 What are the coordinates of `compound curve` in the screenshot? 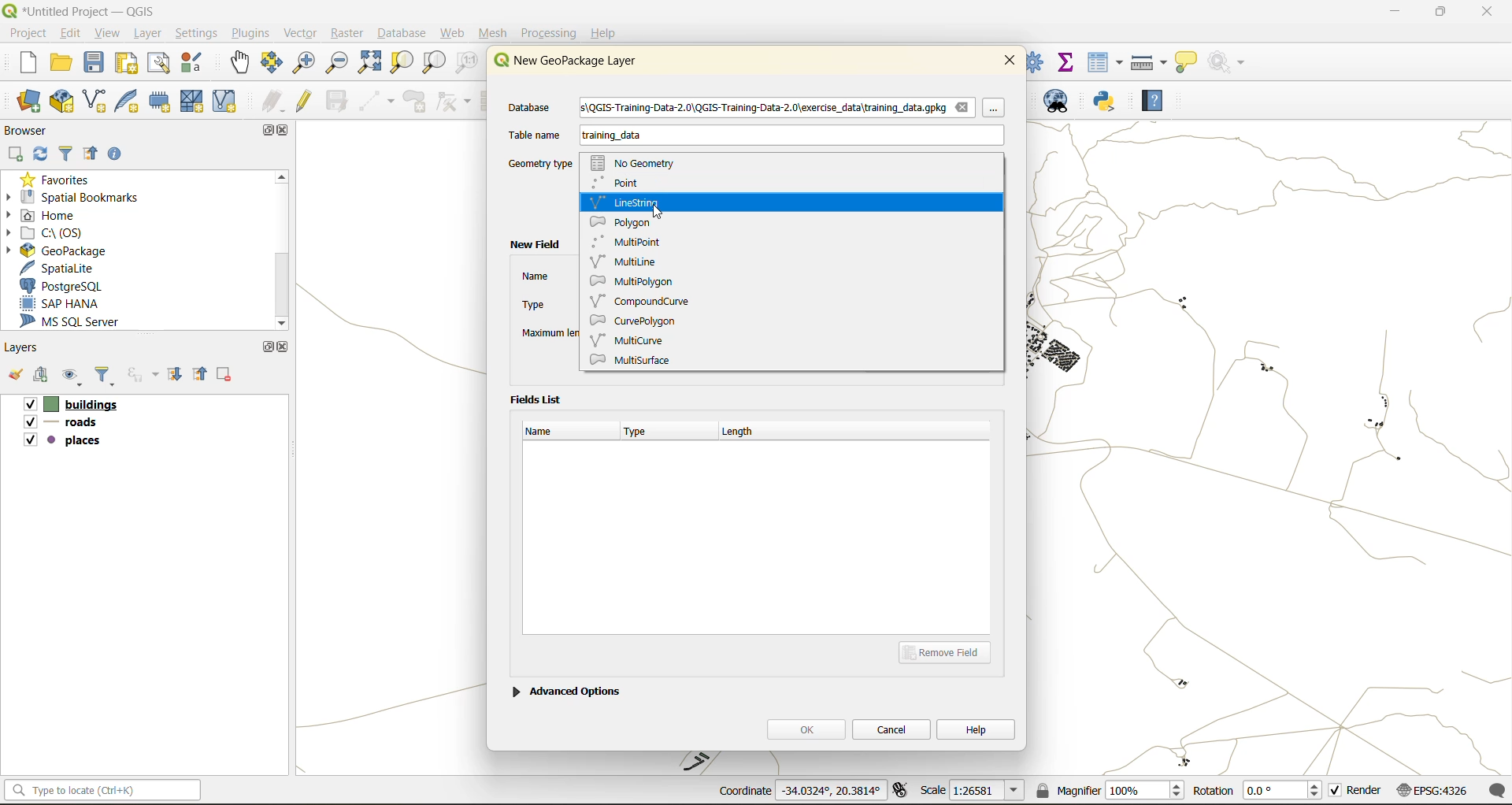 It's located at (650, 301).